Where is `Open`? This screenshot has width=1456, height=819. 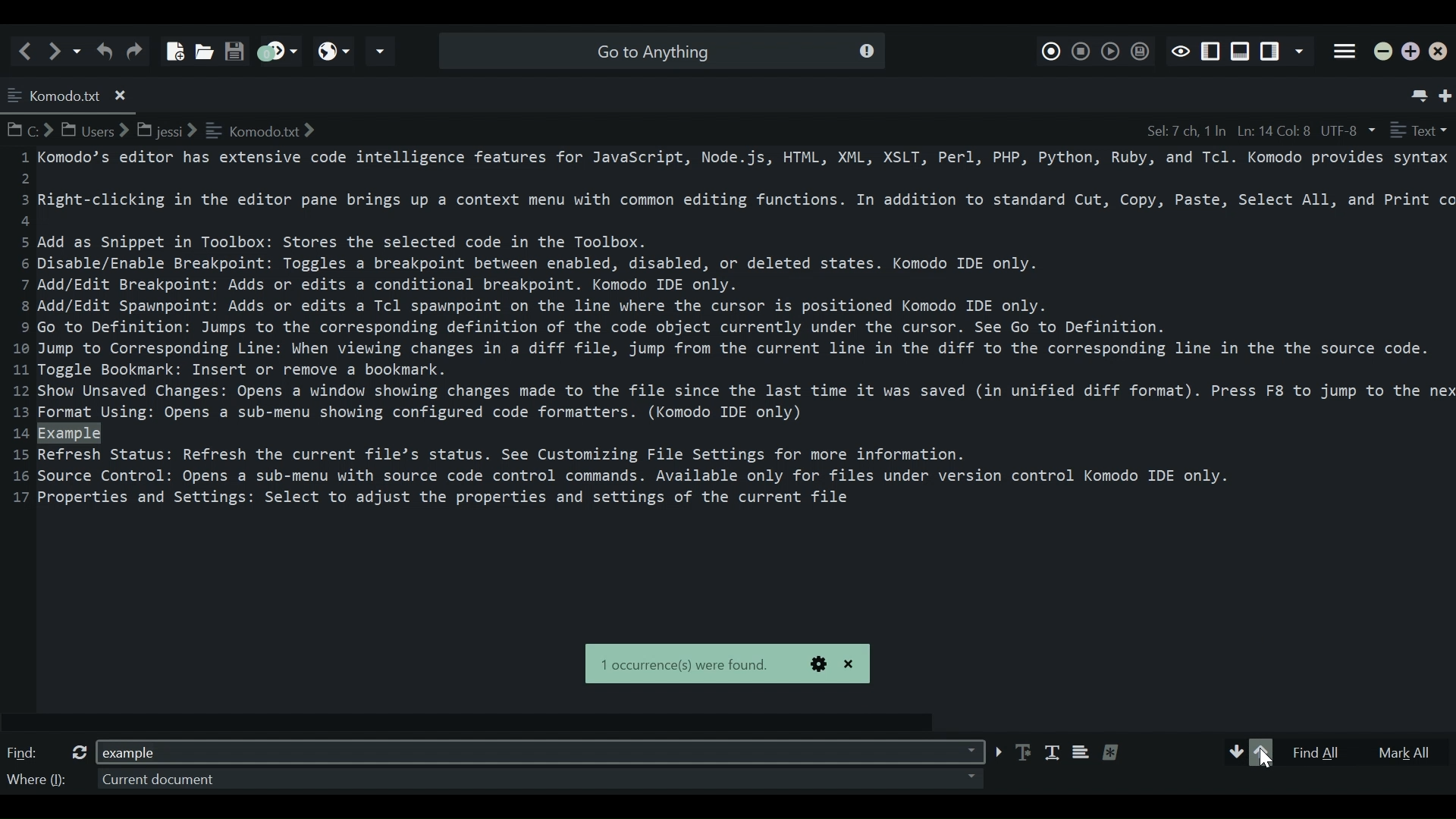 Open is located at coordinates (202, 47).